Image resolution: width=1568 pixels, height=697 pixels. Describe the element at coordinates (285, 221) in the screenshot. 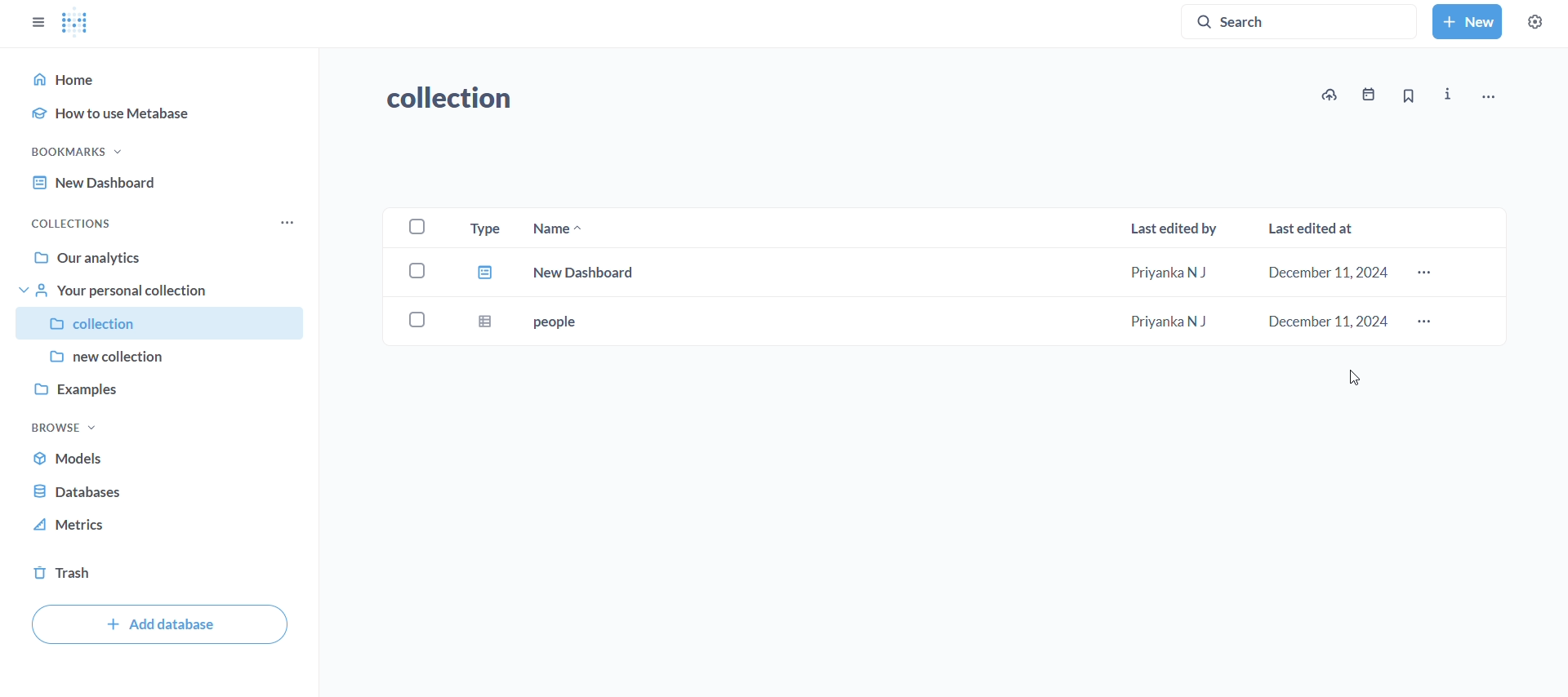

I see `more` at that location.